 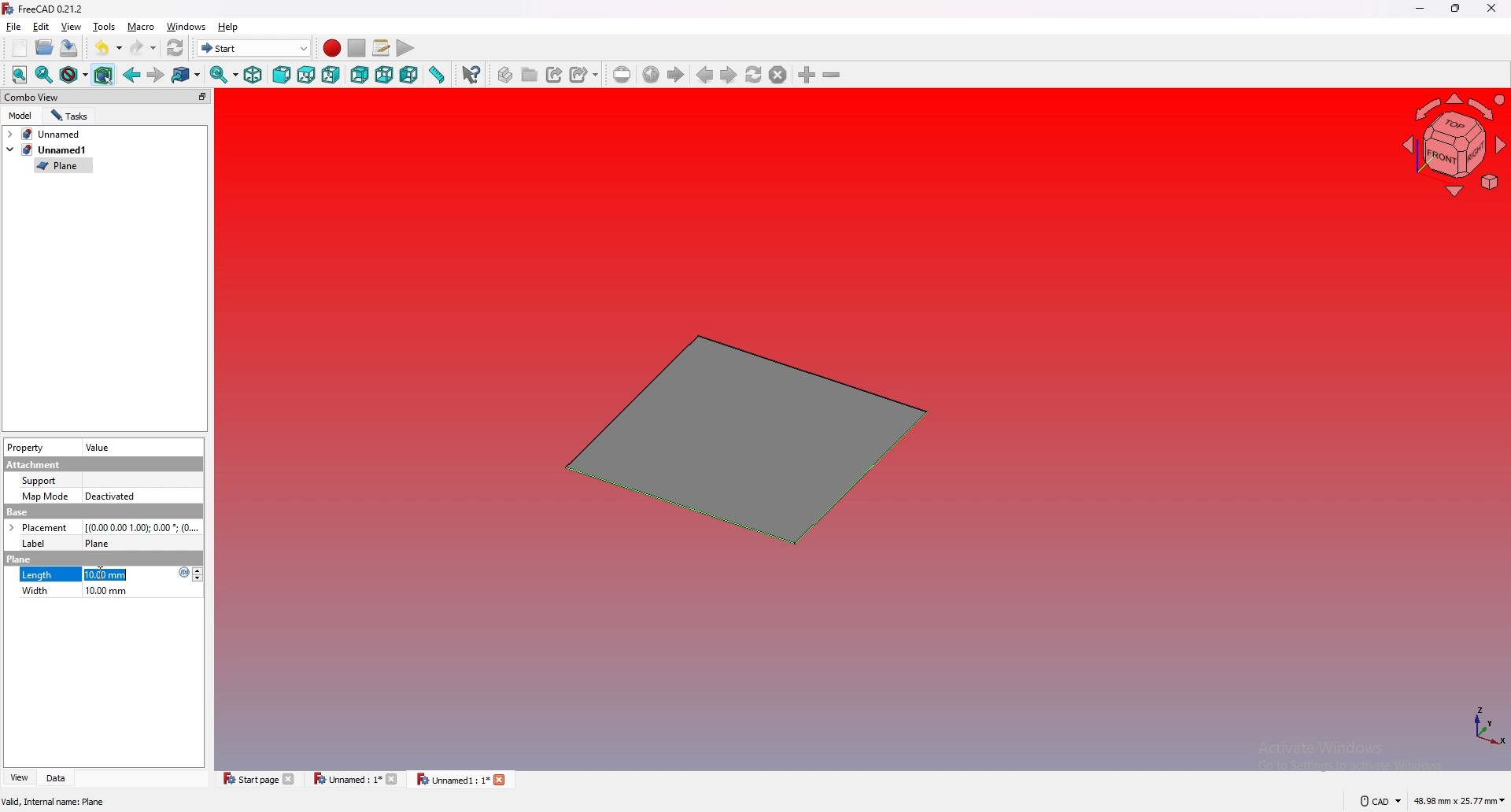 I want to click on [(0.00 0.00 1.00); 0.00 degrees ; (0..., so click(x=144, y=526).